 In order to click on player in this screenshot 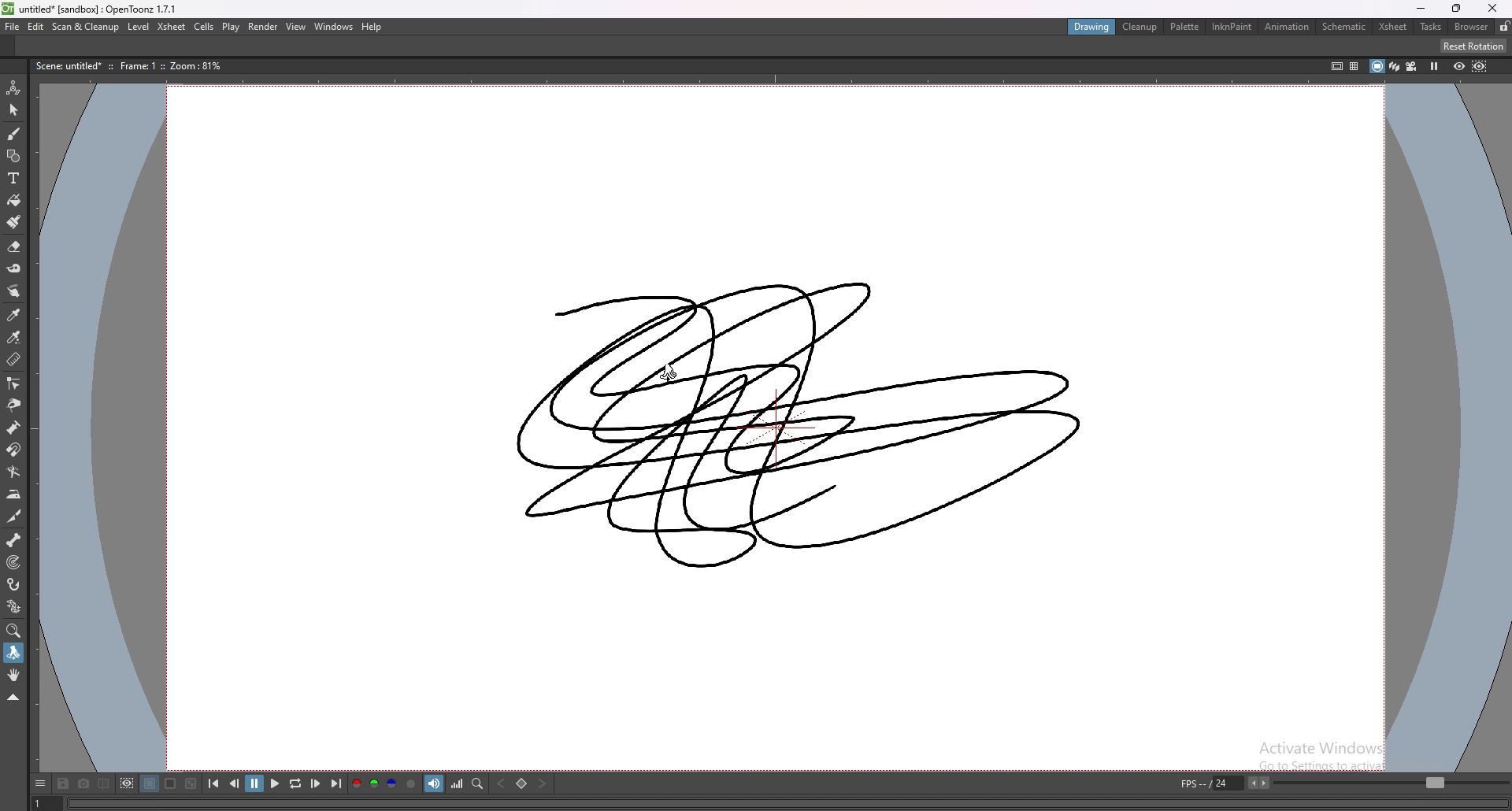, I will do `click(787, 803)`.